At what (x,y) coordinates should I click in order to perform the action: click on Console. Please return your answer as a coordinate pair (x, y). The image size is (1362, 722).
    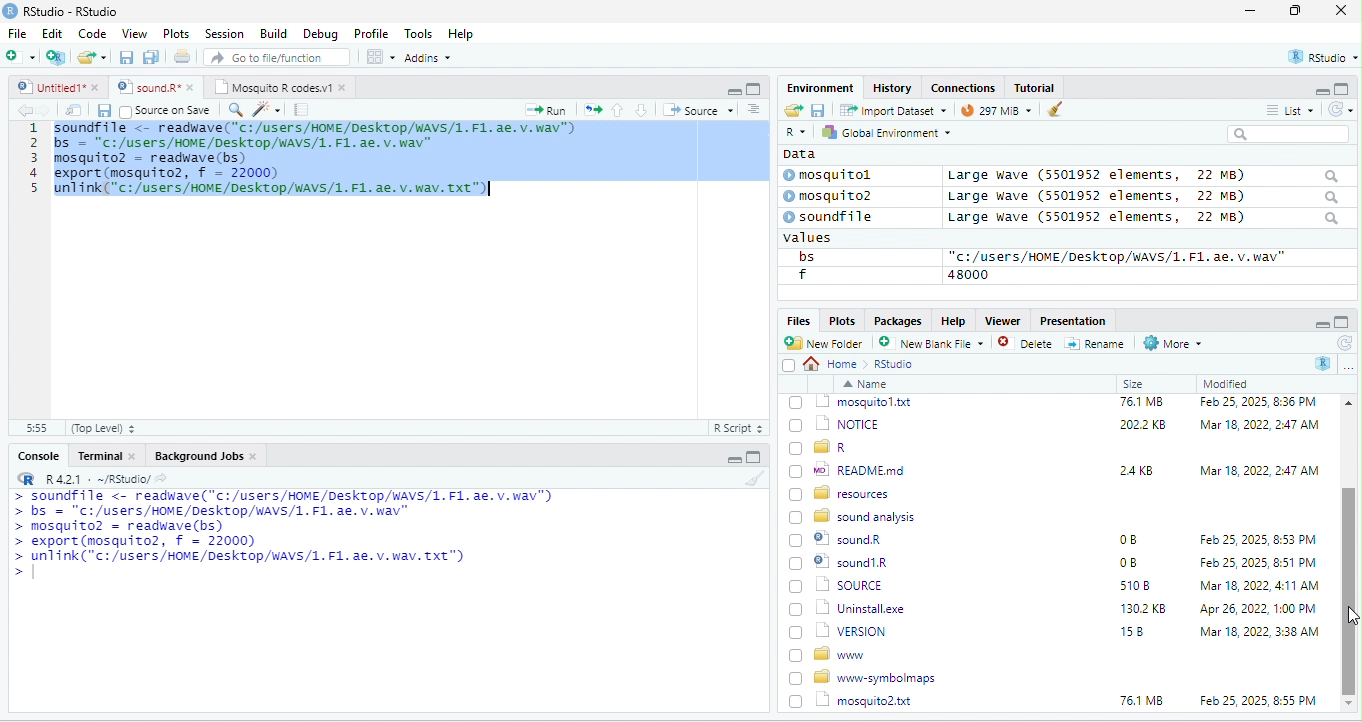
    Looking at the image, I should click on (37, 454).